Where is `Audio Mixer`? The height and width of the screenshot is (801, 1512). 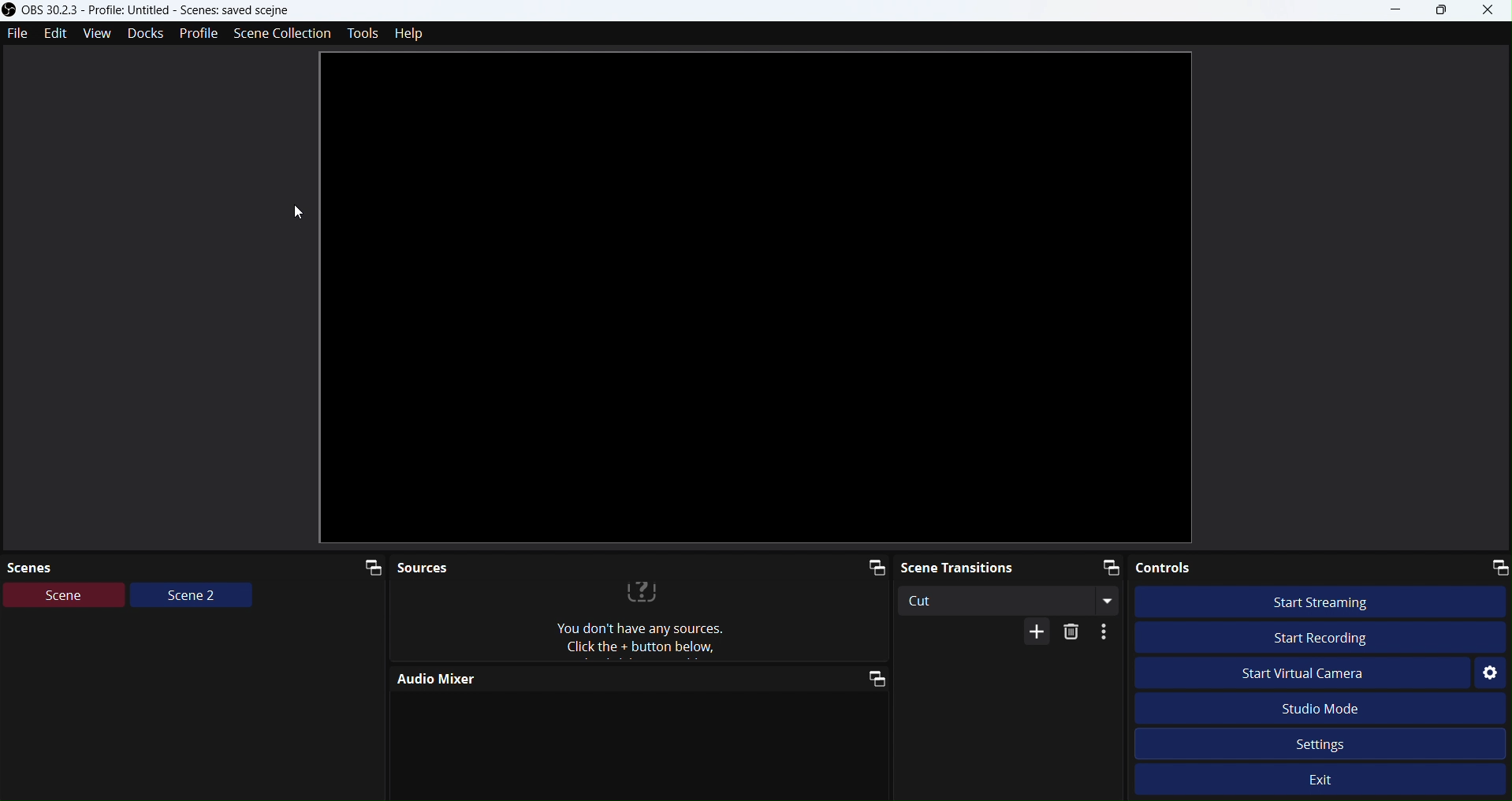
Audio Mixer is located at coordinates (638, 677).